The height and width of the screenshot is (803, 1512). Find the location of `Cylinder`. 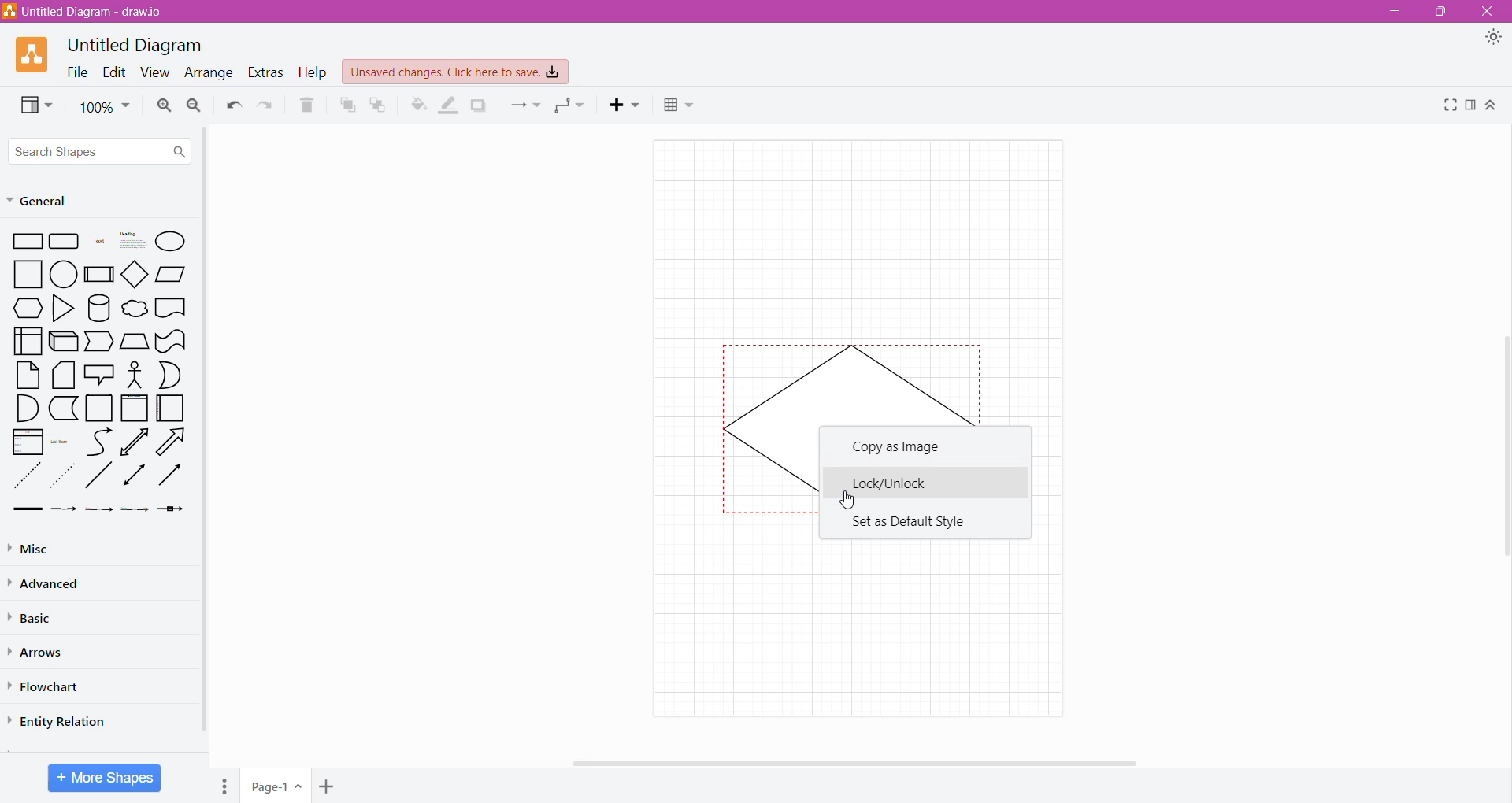

Cylinder is located at coordinates (99, 309).